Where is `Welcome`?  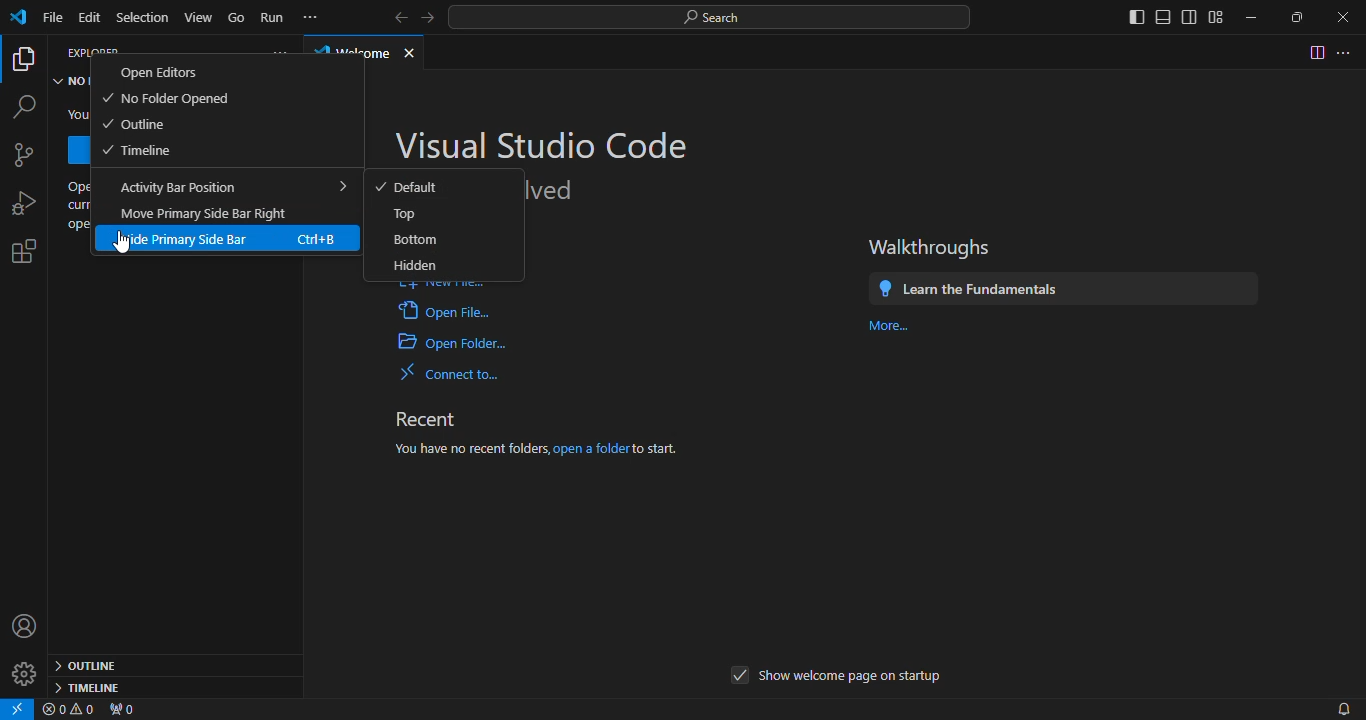
Welcome is located at coordinates (350, 50).